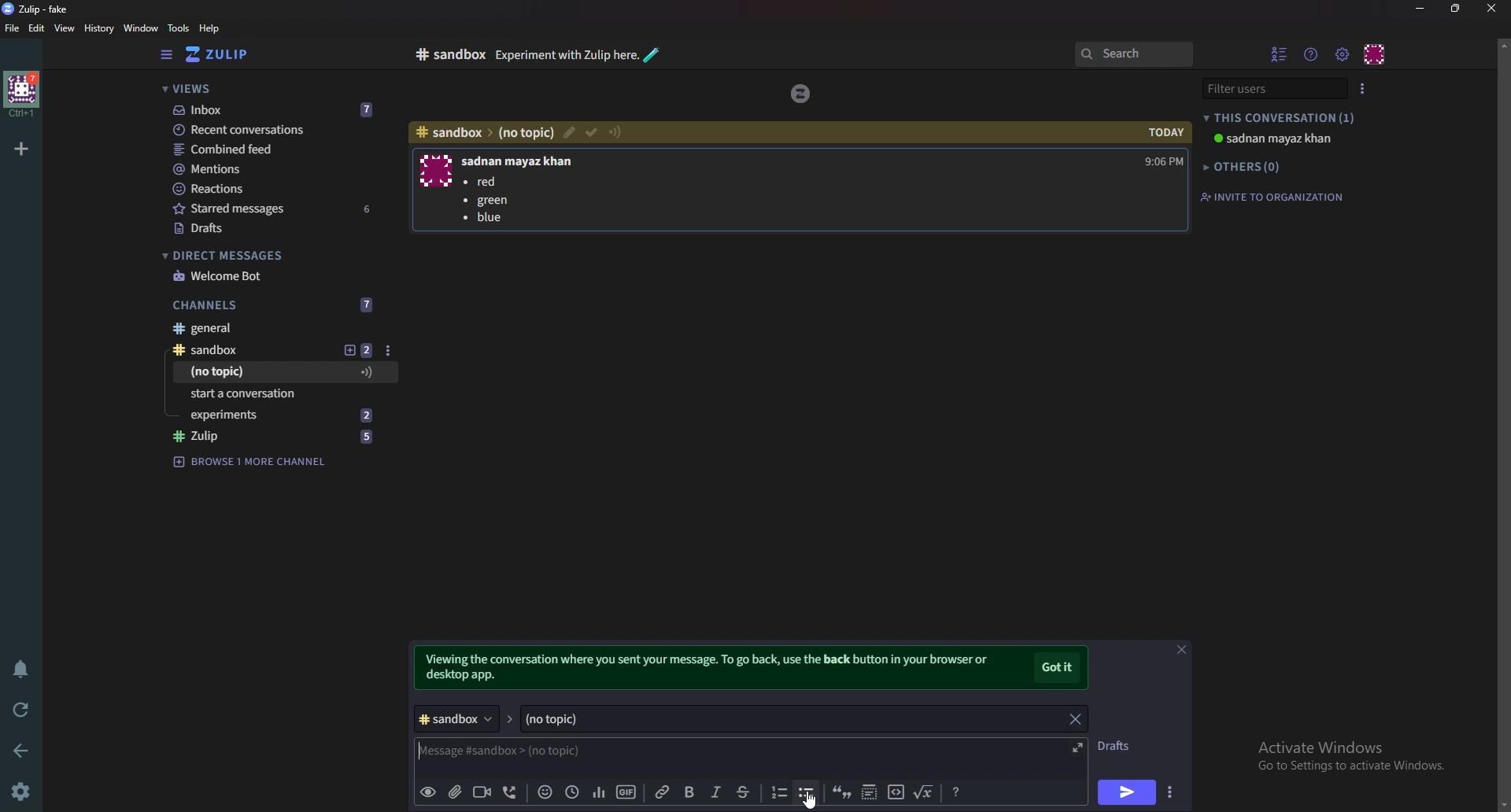  Describe the element at coordinates (65, 29) in the screenshot. I see `View` at that location.